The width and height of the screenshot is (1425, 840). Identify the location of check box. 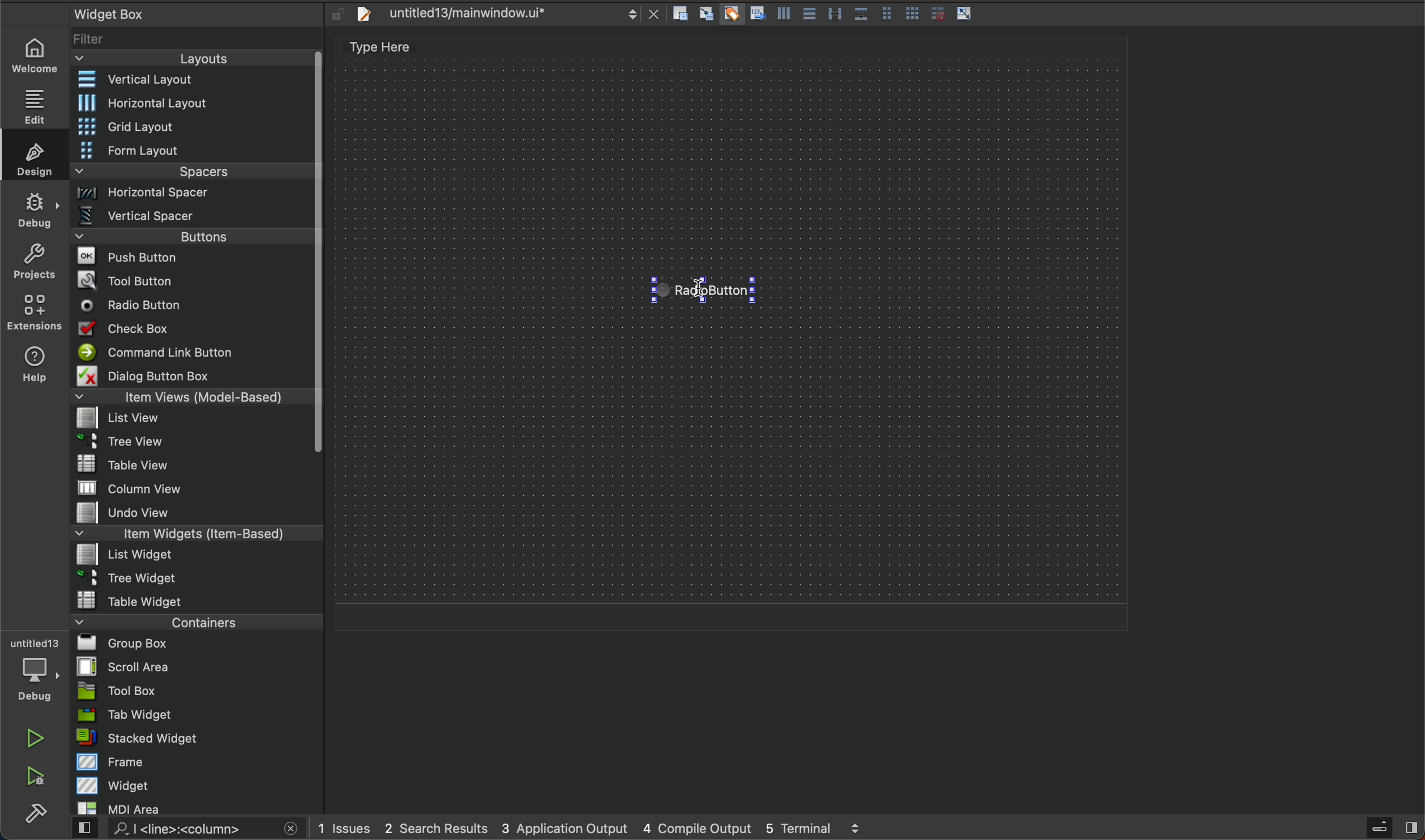
(192, 331).